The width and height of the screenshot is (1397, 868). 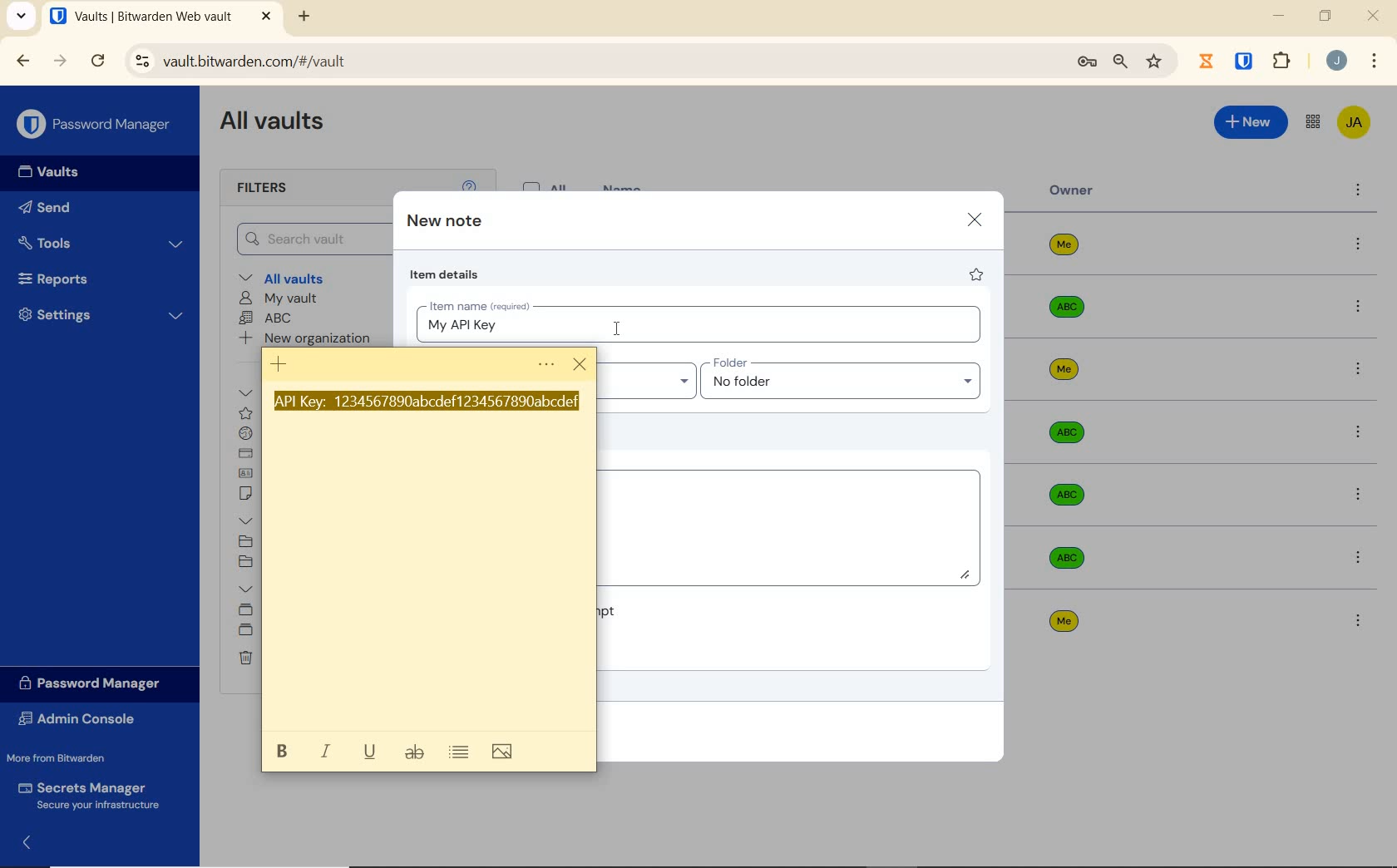 What do you see at coordinates (1360, 556) in the screenshot?
I see `more options` at bounding box center [1360, 556].